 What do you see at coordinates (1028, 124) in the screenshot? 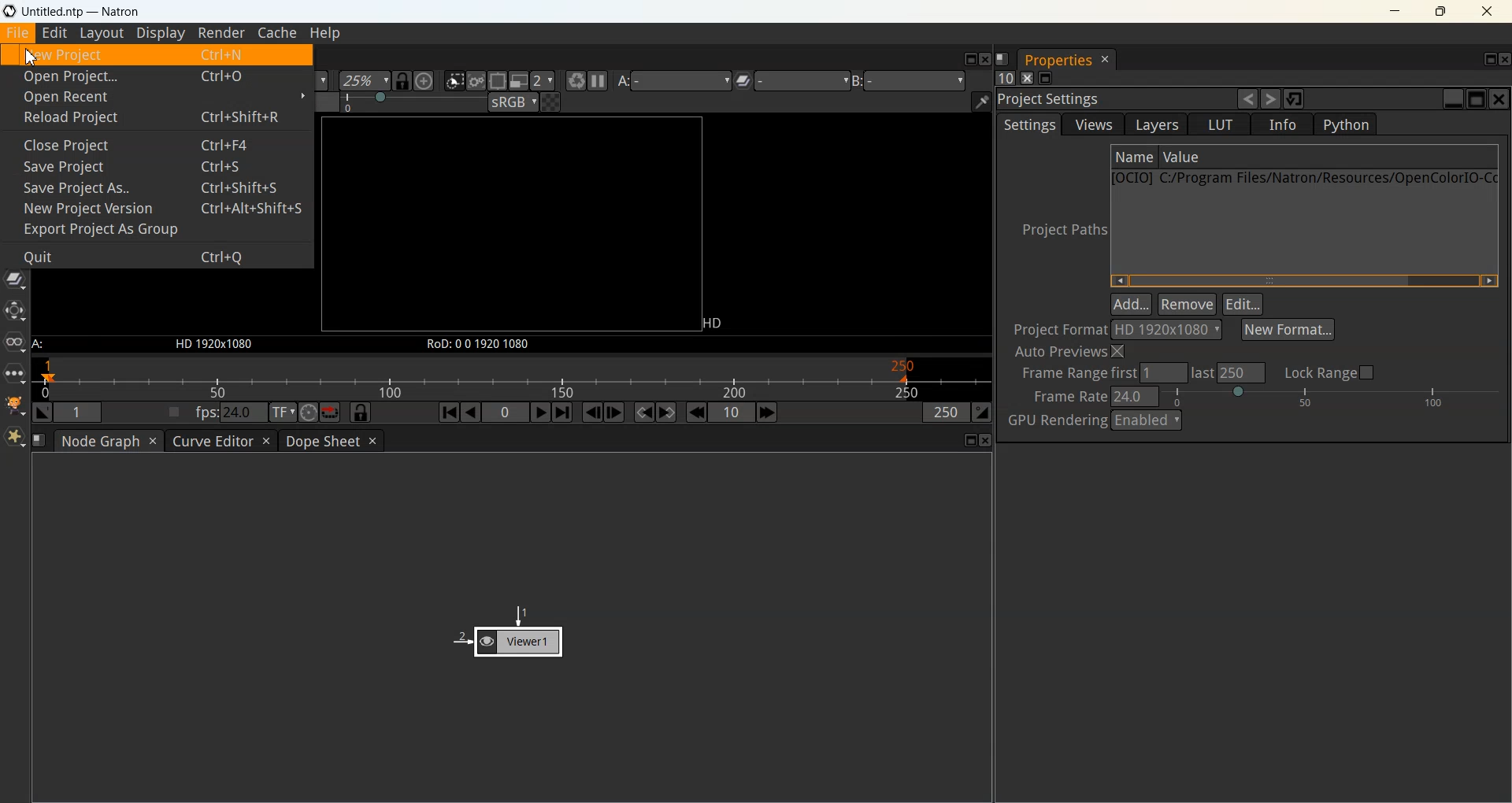
I see `Settings` at bounding box center [1028, 124].